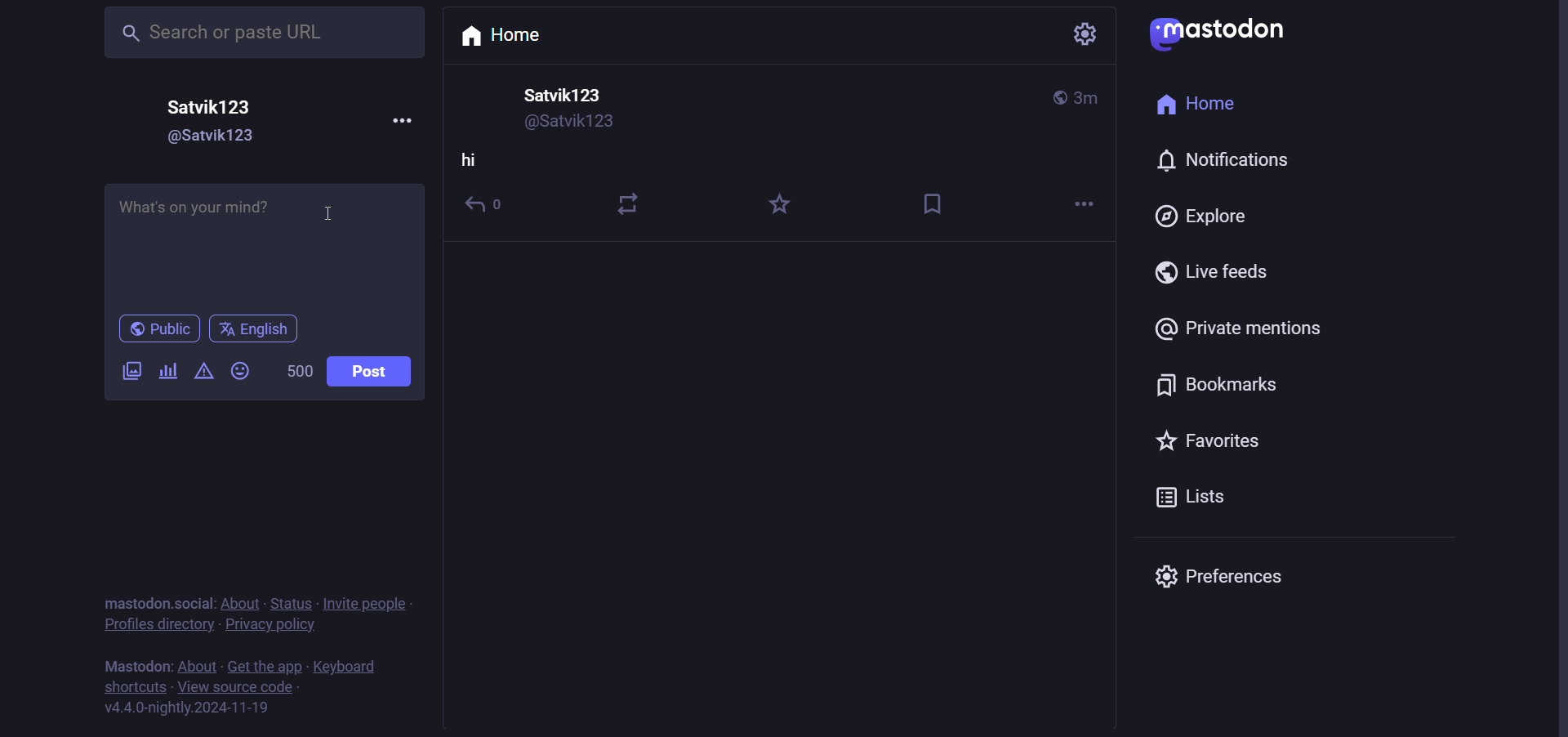 This screenshot has height=737, width=1568. I want to click on social, so click(196, 601).